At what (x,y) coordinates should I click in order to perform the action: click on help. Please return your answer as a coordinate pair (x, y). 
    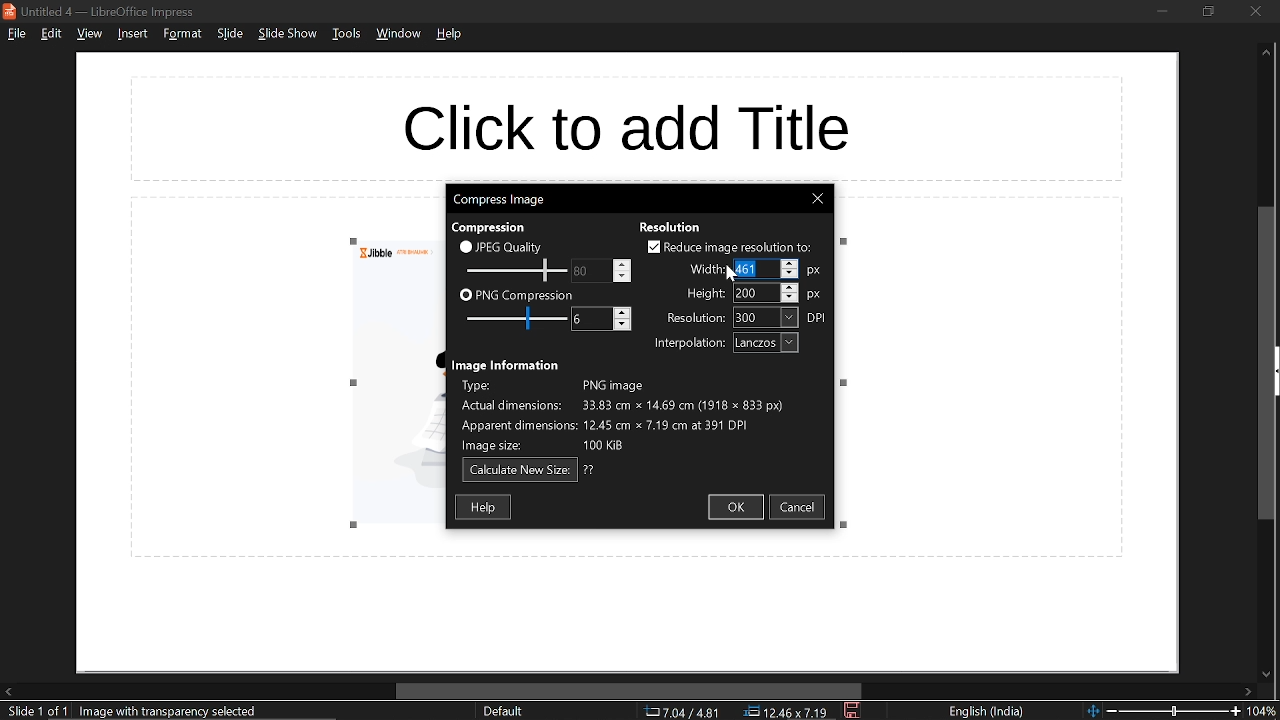
    Looking at the image, I should click on (484, 507).